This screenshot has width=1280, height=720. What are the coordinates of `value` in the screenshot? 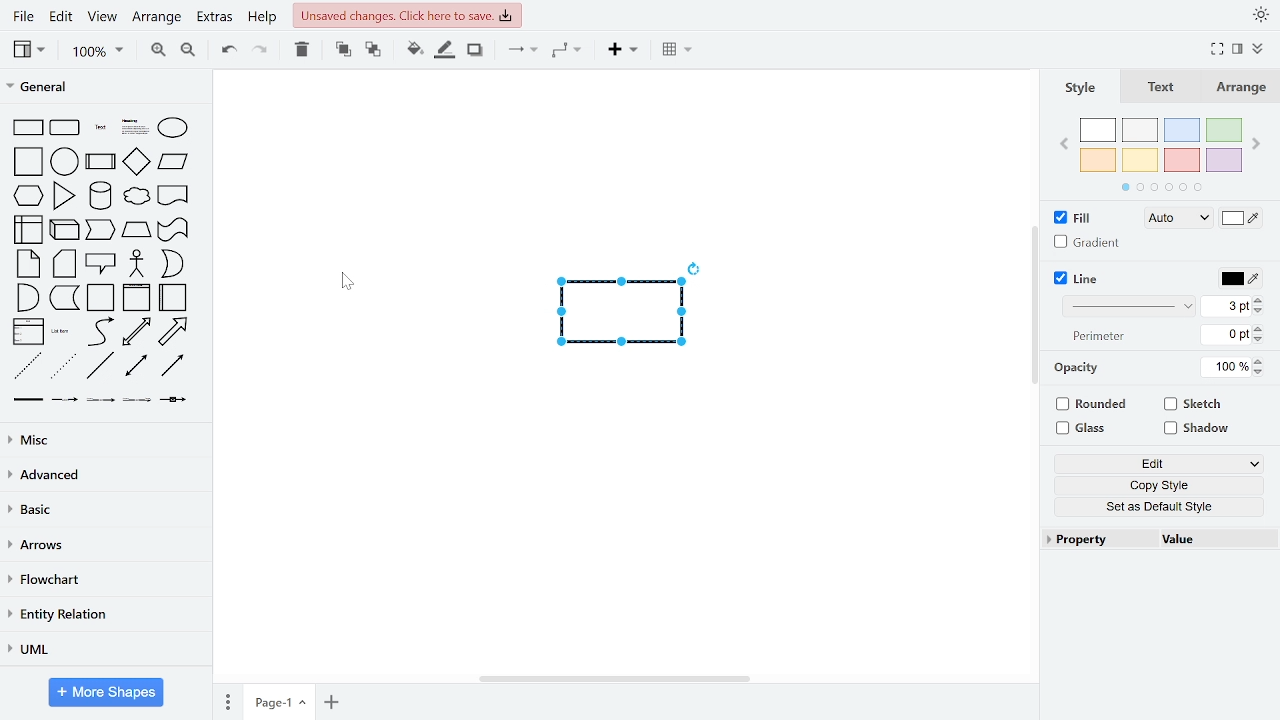 It's located at (1221, 540).